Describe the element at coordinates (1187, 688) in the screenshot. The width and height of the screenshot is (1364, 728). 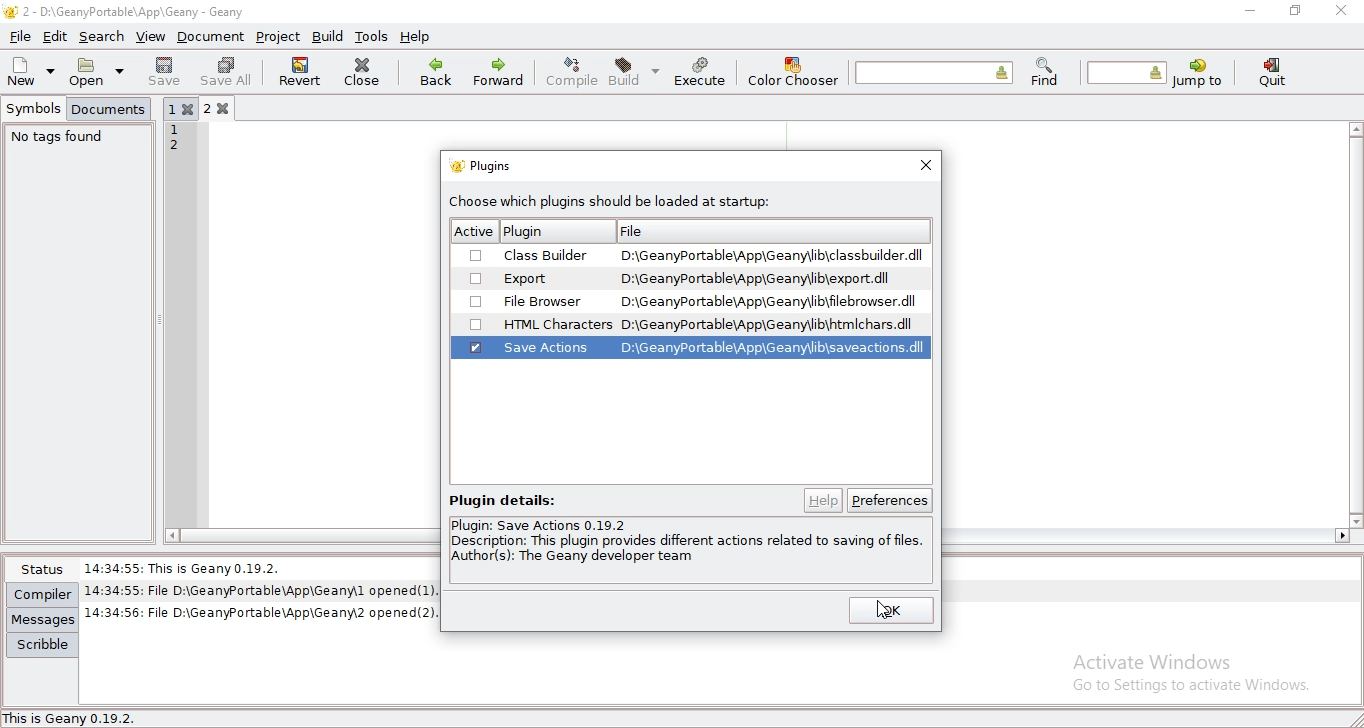
I see `go to settings to activate windows` at that location.